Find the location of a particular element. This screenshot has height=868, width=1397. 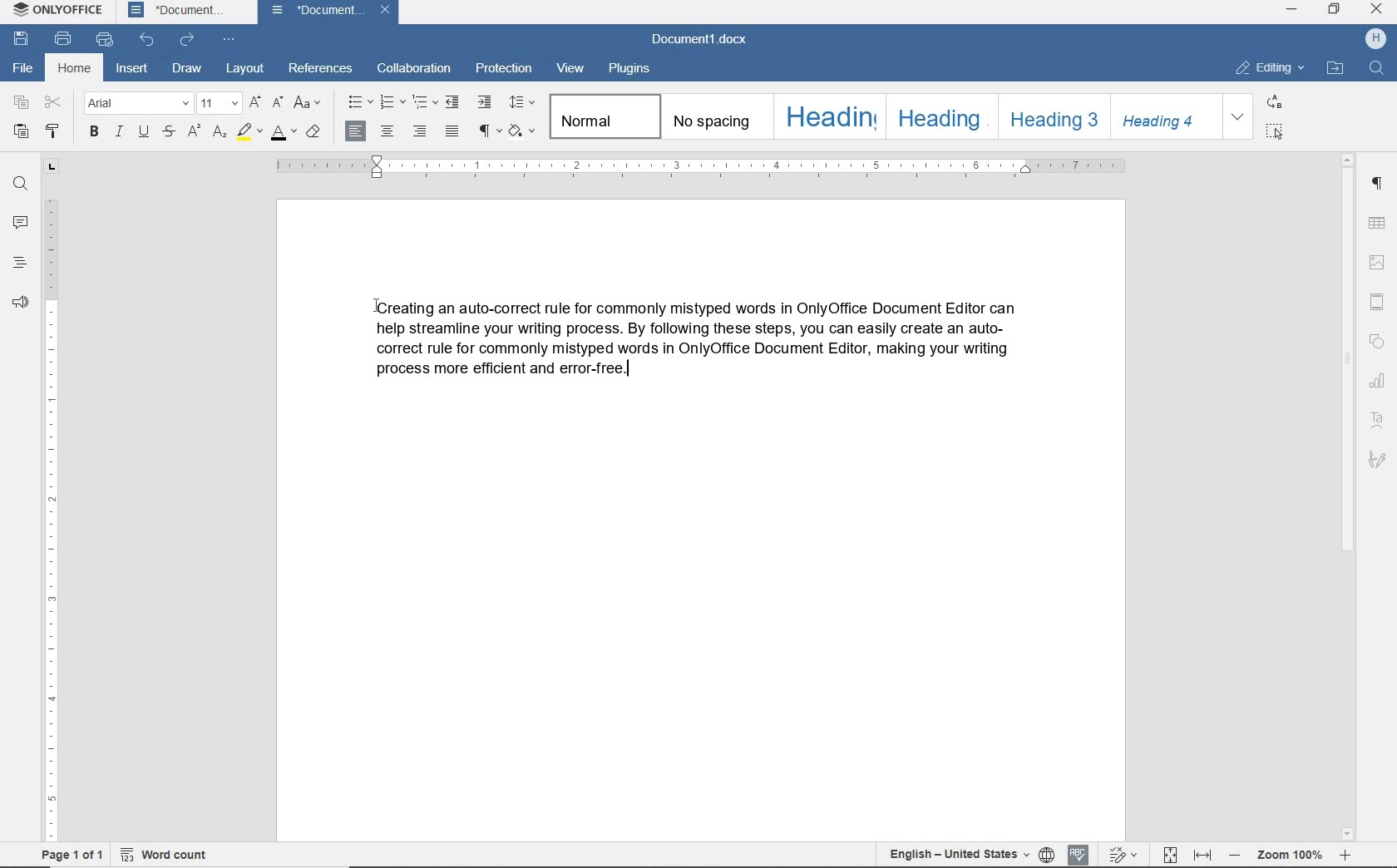

ruler is located at coordinates (49, 497).